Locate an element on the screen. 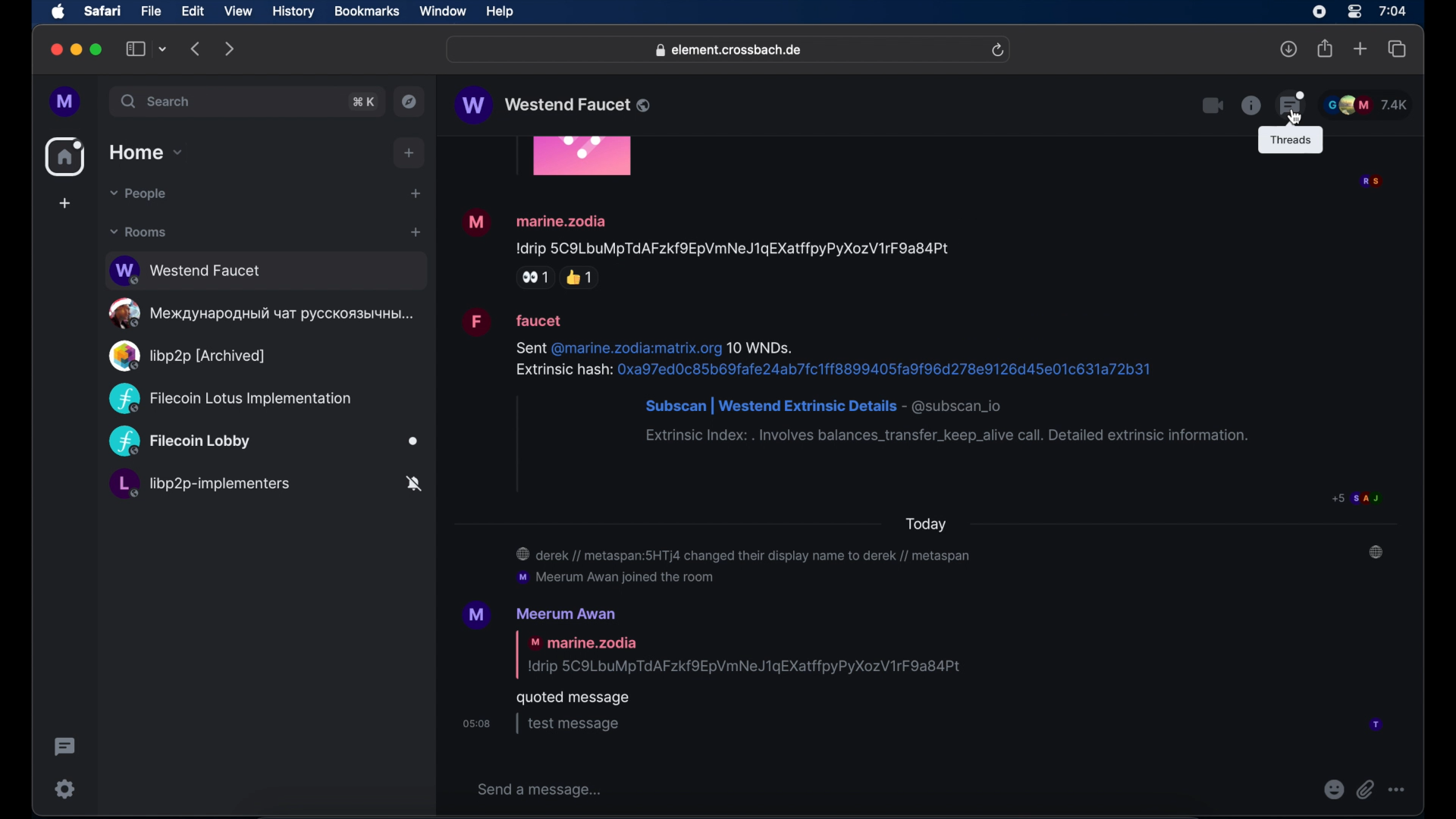 Image resolution: width=1456 pixels, height=819 pixels.  Filecoin Lobby is located at coordinates (207, 441).